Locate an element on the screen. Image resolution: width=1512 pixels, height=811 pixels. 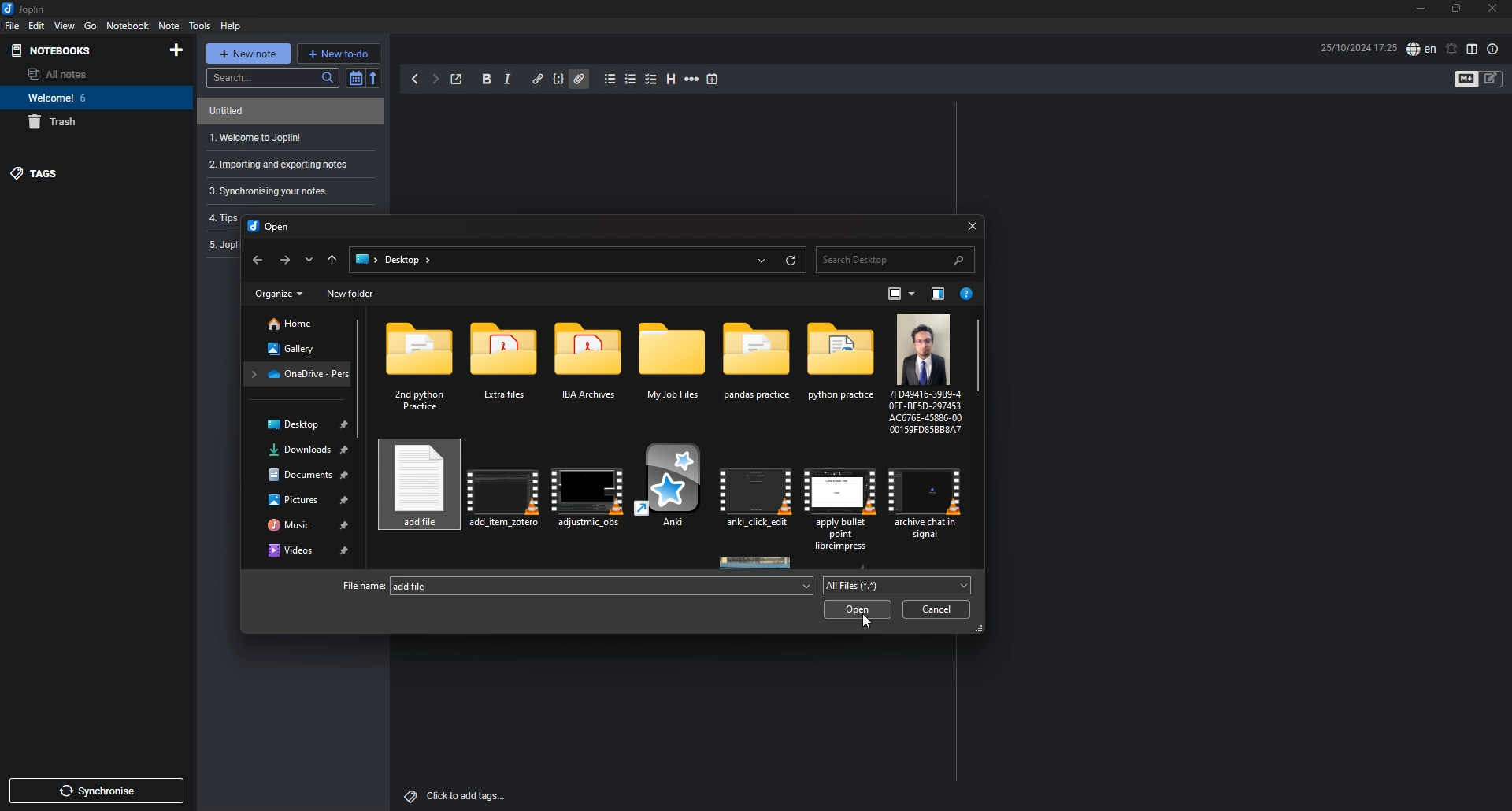
back is located at coordinates (256, 261).